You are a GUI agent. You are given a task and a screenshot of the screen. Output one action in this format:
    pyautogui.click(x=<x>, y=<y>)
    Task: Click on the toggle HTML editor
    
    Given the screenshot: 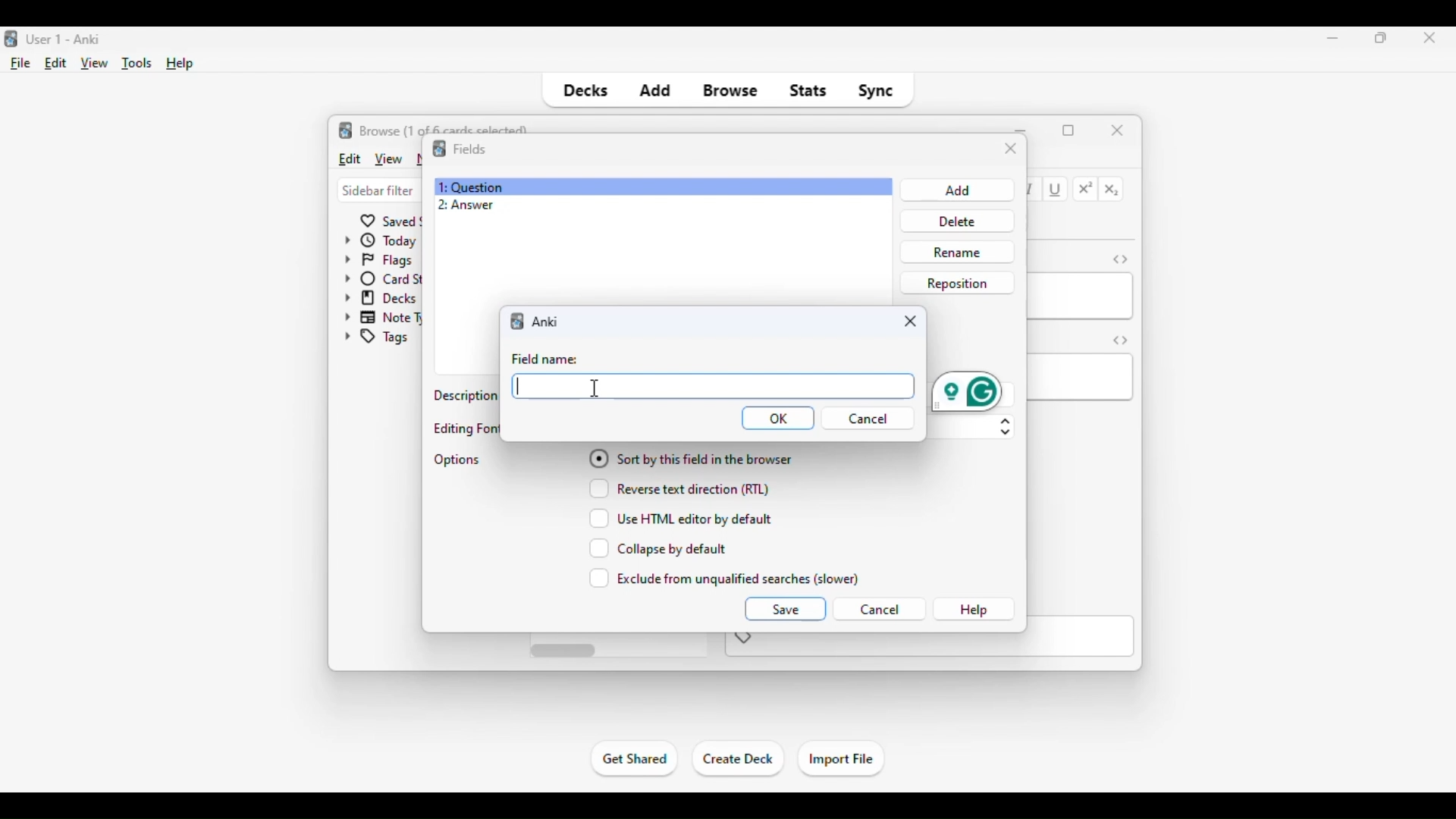 What is the action you would take?
    pyautogui.click(x=1121, y=340)
    